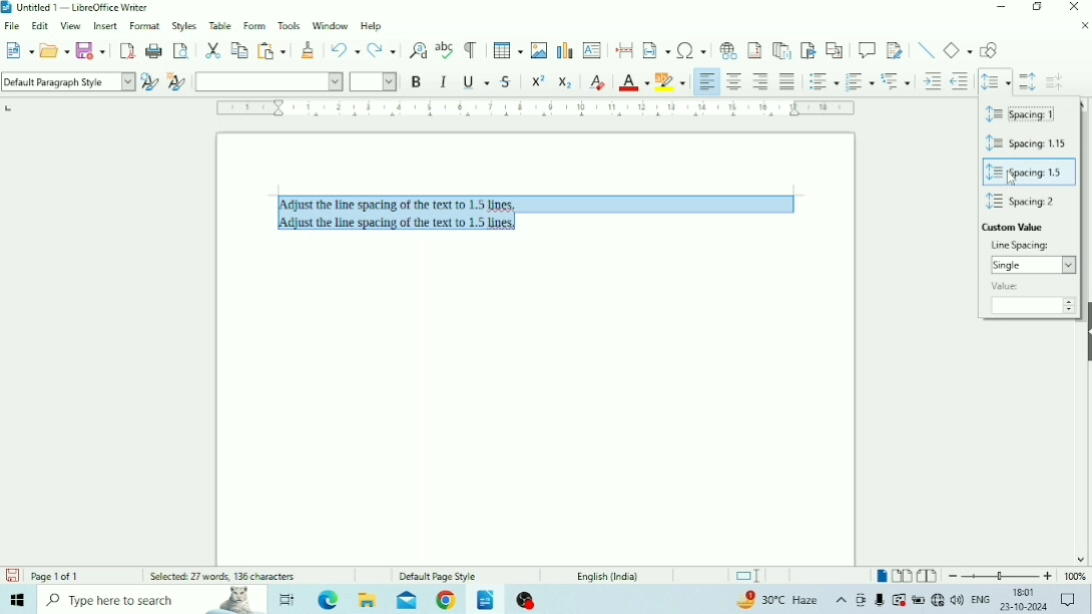 The height and width of the screenshot is (614, 1092). I want to click on Warning, so click(899, 600).